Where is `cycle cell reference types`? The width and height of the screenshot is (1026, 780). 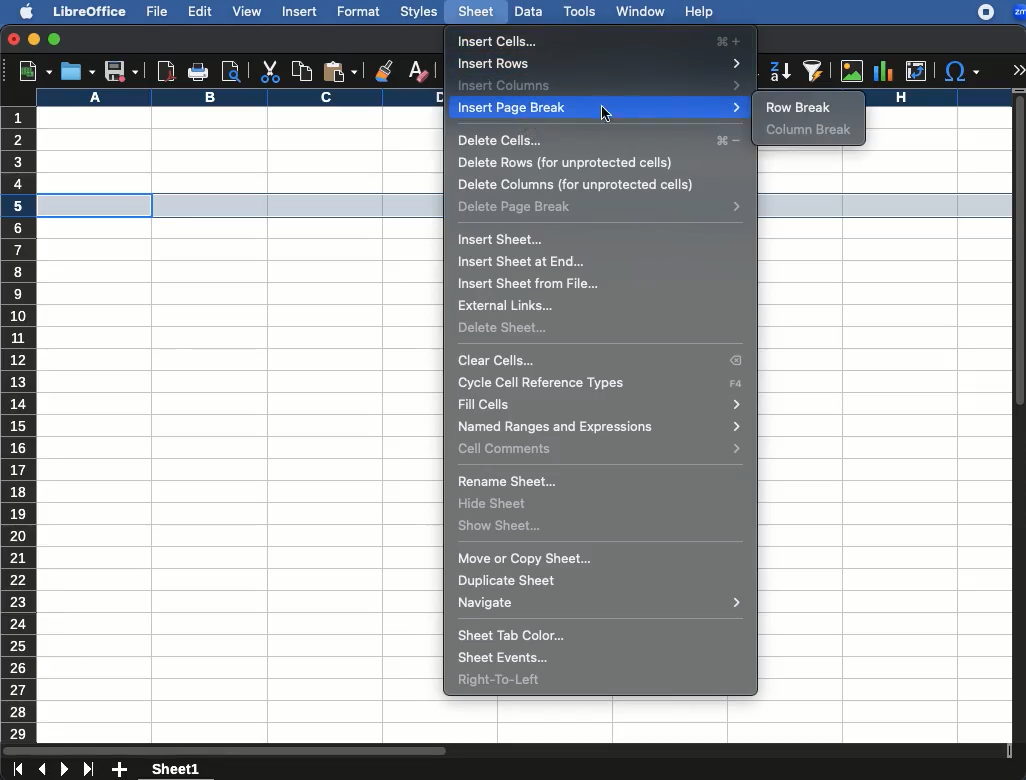 cycle cell reference types is located at coordinates (602, 382).